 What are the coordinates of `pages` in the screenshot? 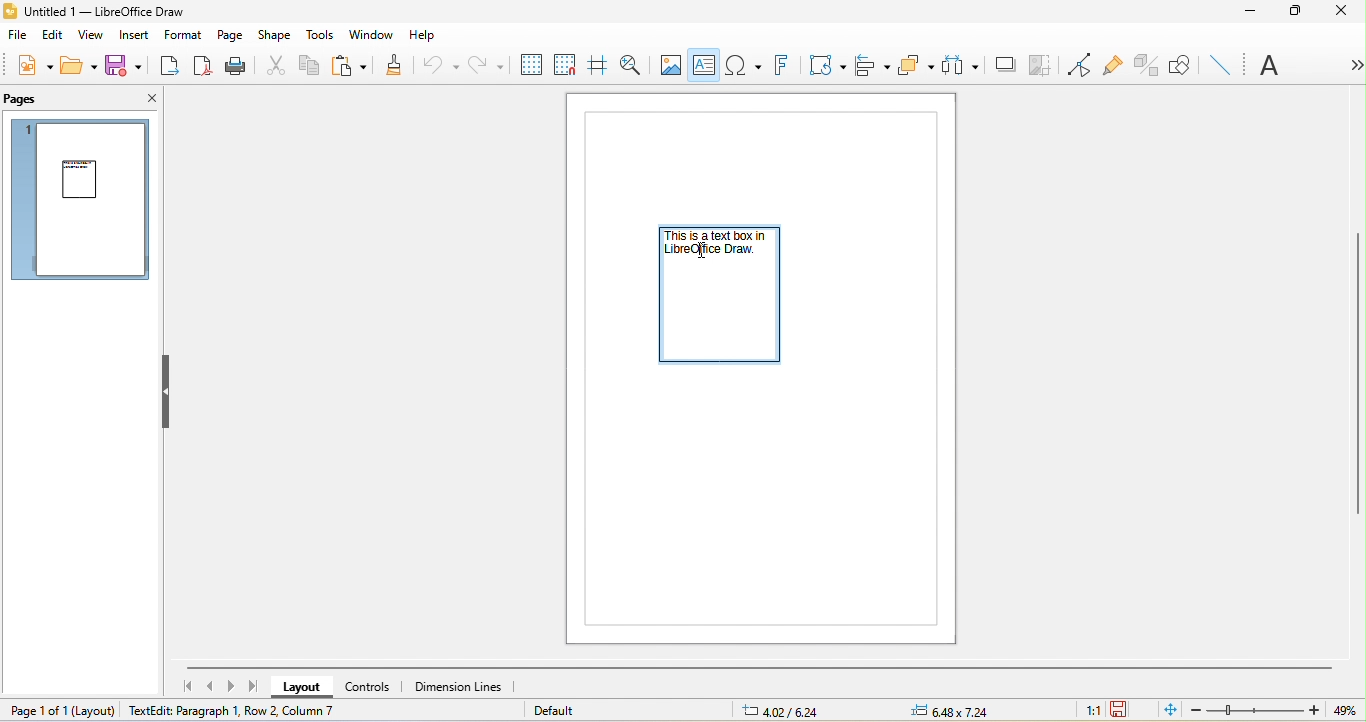 It's located at (26, 98).